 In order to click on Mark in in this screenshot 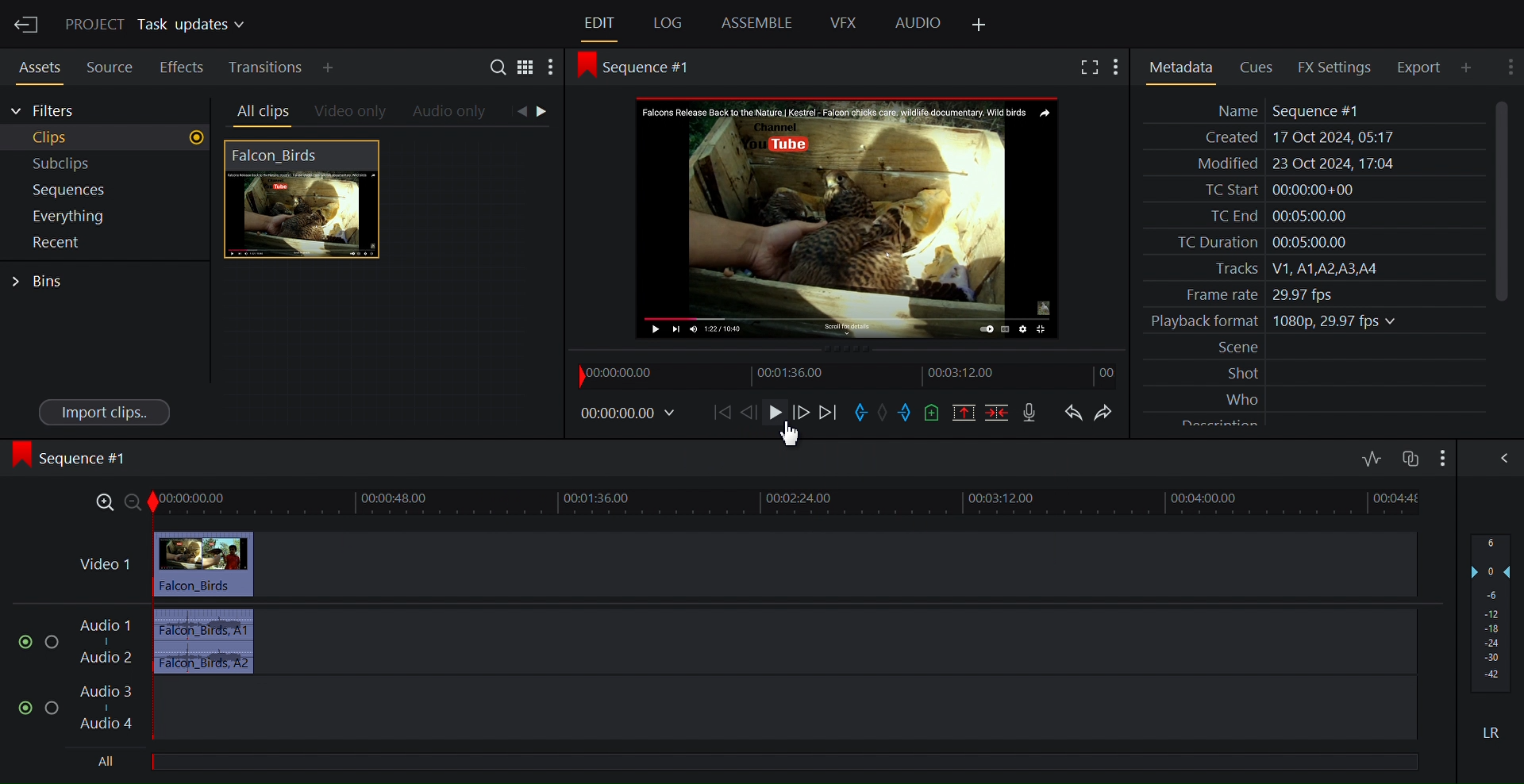, I will do `click(860, 413)`.